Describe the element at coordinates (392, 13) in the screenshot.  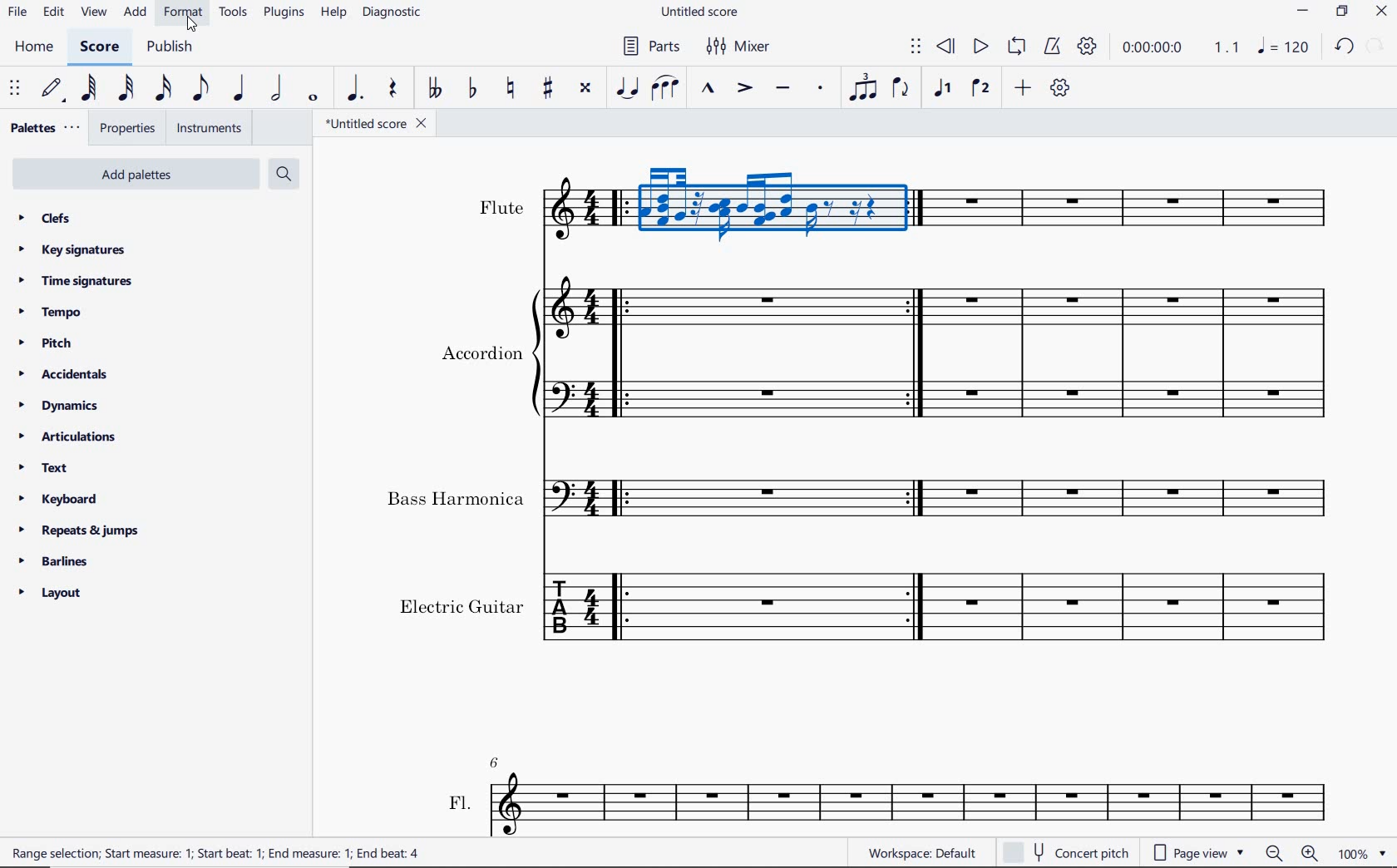
I see `diagnostic` at that location.